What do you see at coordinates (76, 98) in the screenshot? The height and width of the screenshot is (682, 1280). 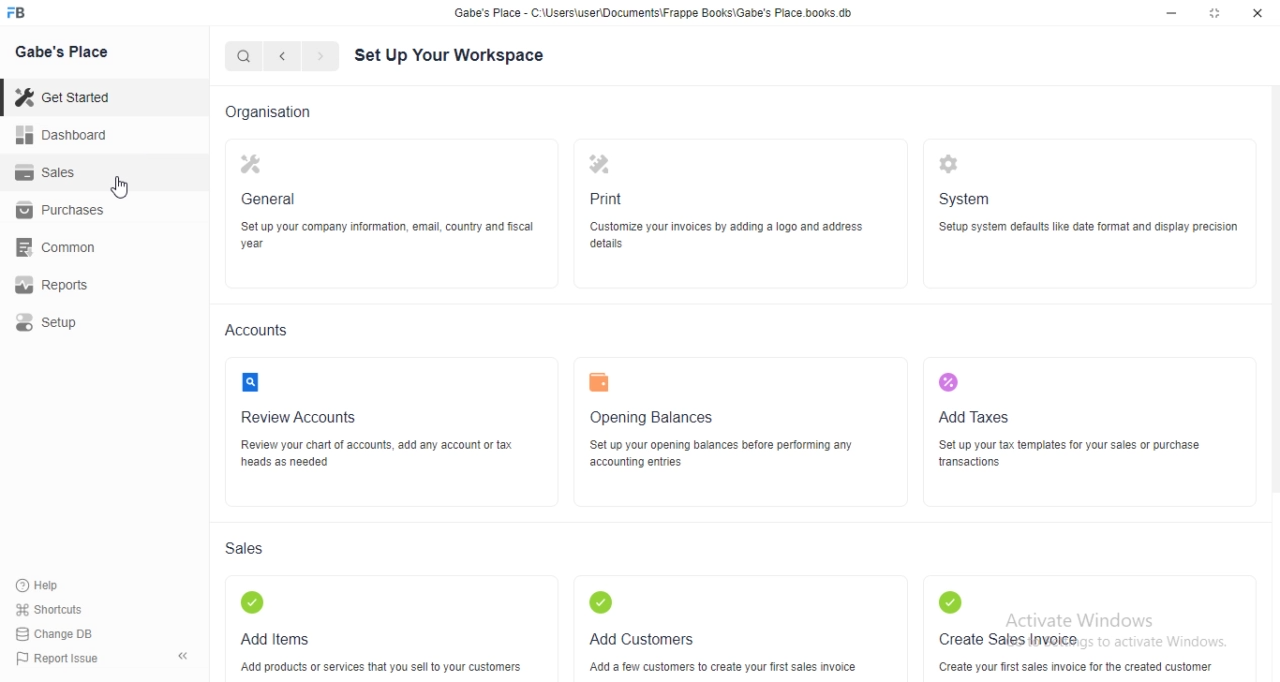 I see `Get Staneg` at bounding box center [76, 98].